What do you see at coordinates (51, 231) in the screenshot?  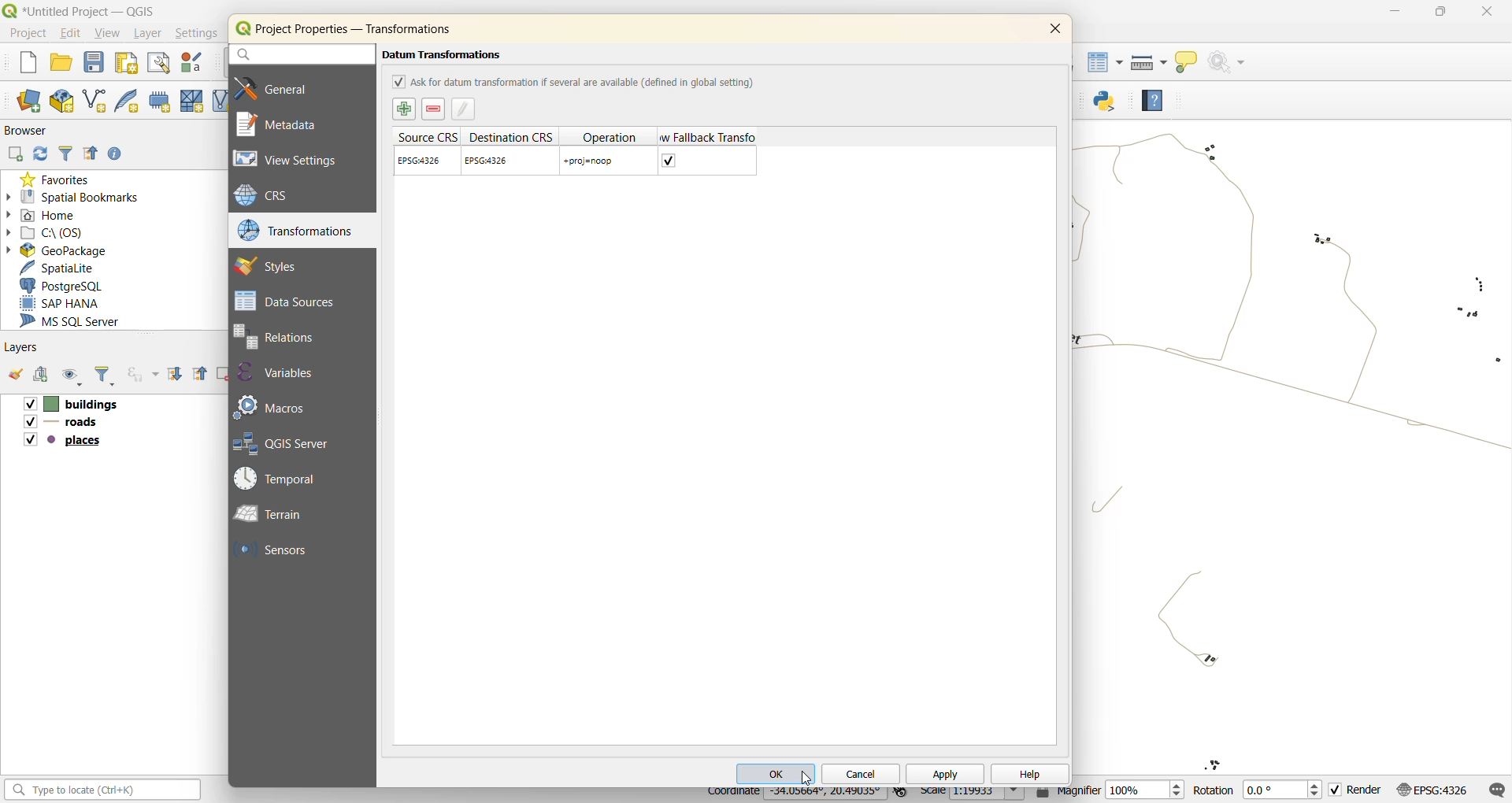 I see `c\:os` at bounding box center [51, 231].